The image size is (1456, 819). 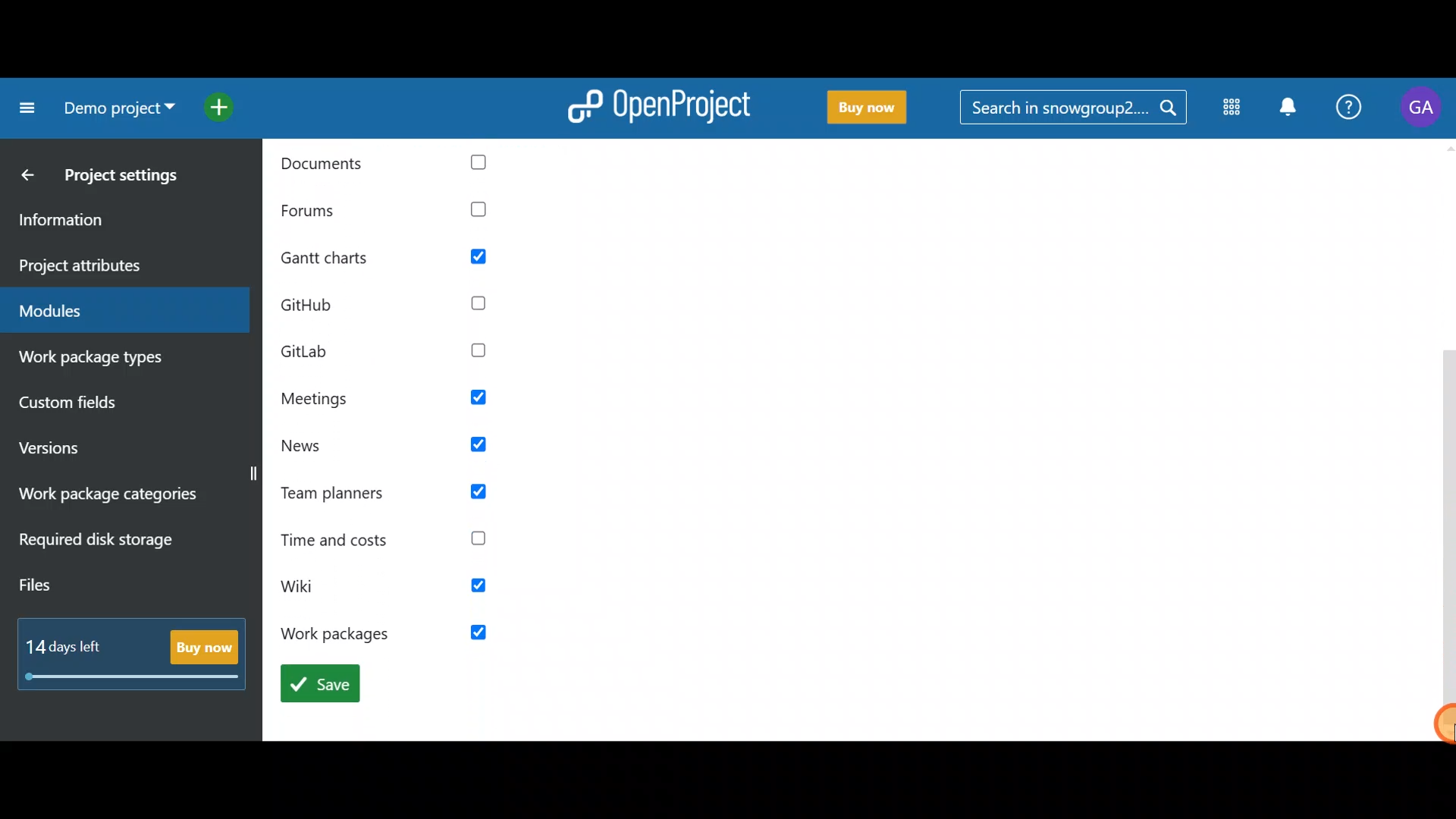 I want to click on documents, so click(x=394, y=165).